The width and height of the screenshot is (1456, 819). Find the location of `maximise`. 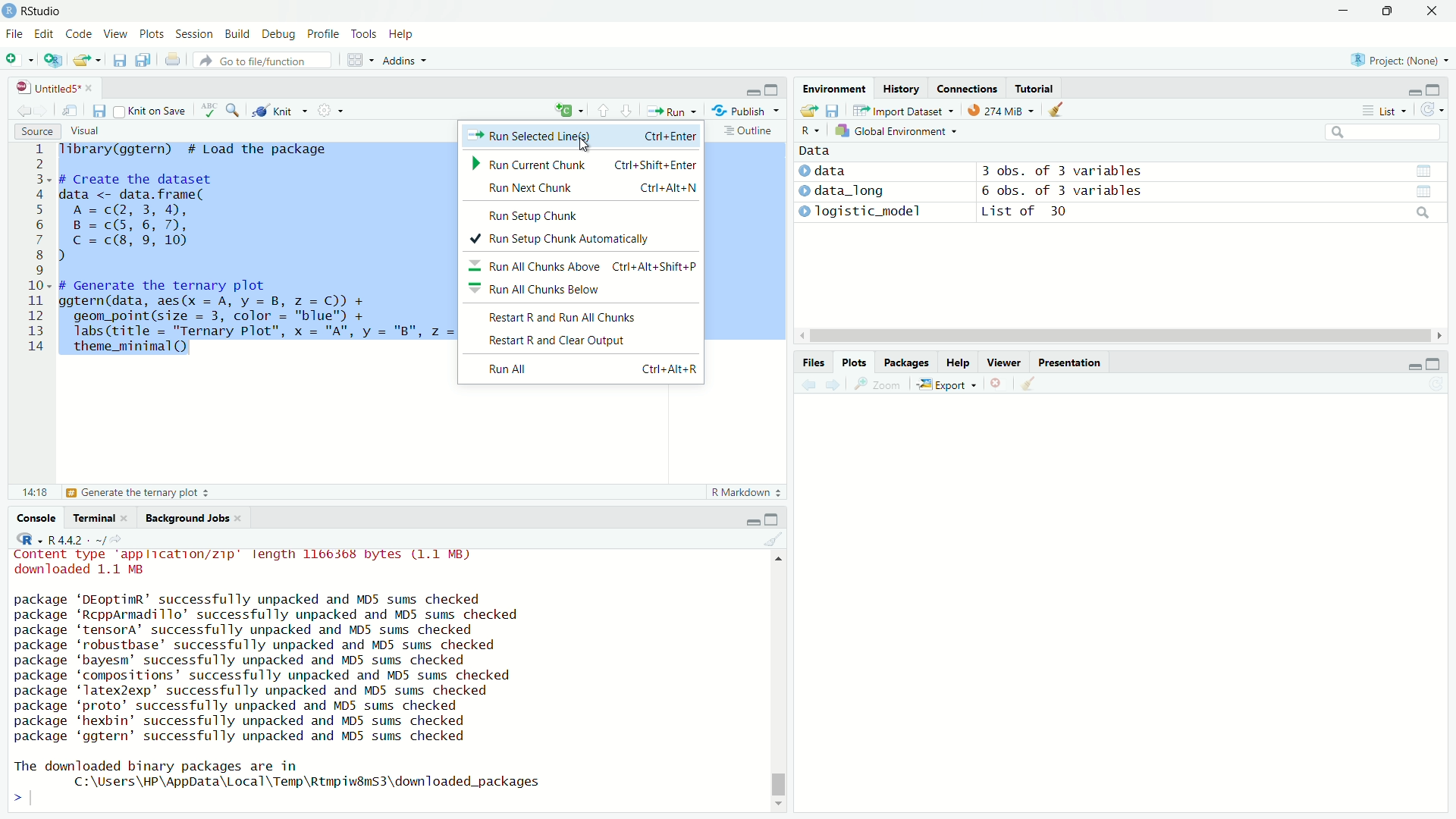

maximise is located at coordinates (1386, 11).